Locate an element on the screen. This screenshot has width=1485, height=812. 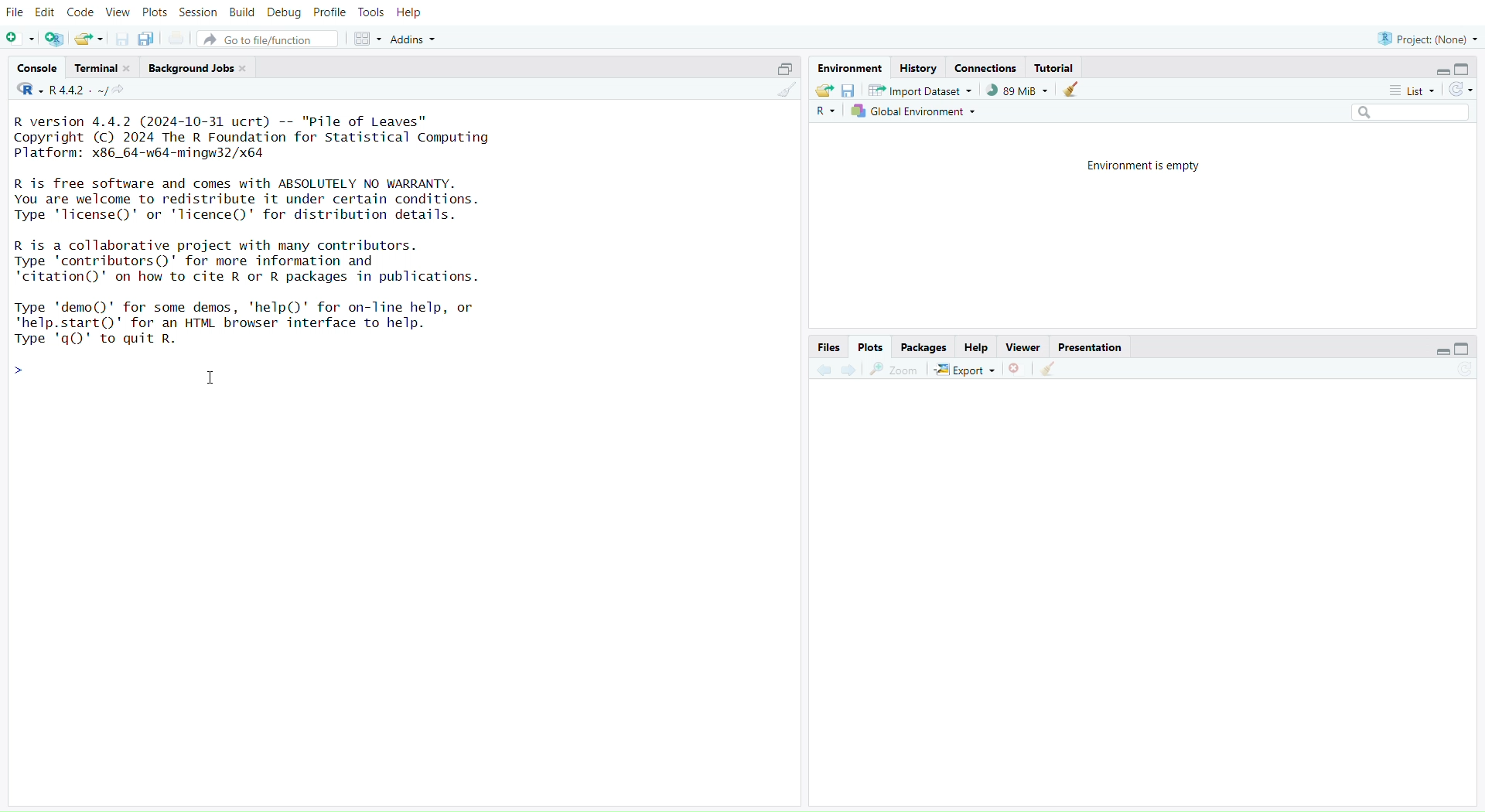
Save workspace as is located at coordinates (850, 92).